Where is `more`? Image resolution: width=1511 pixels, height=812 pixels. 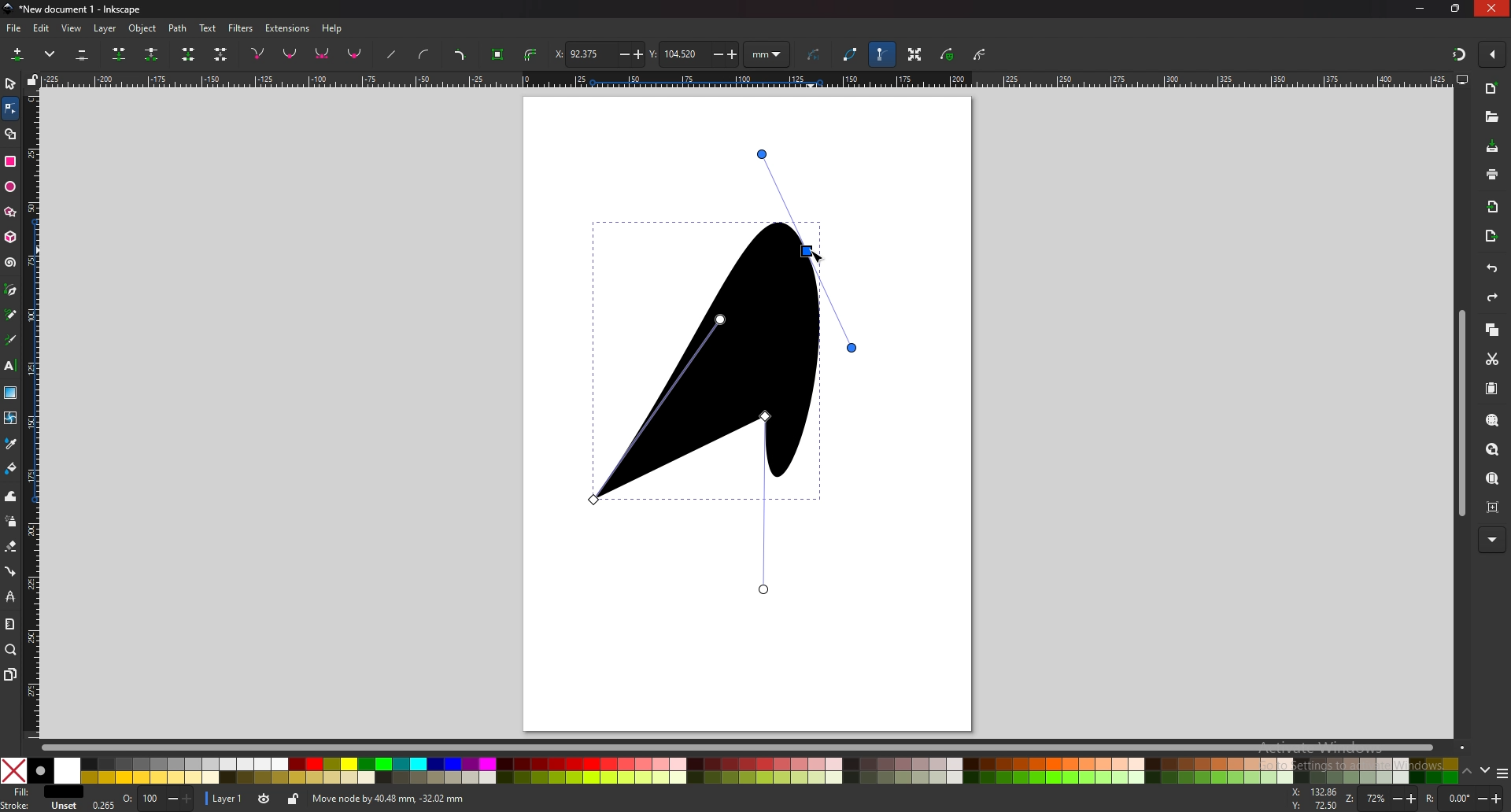
more is located at coordinates (50, 54).